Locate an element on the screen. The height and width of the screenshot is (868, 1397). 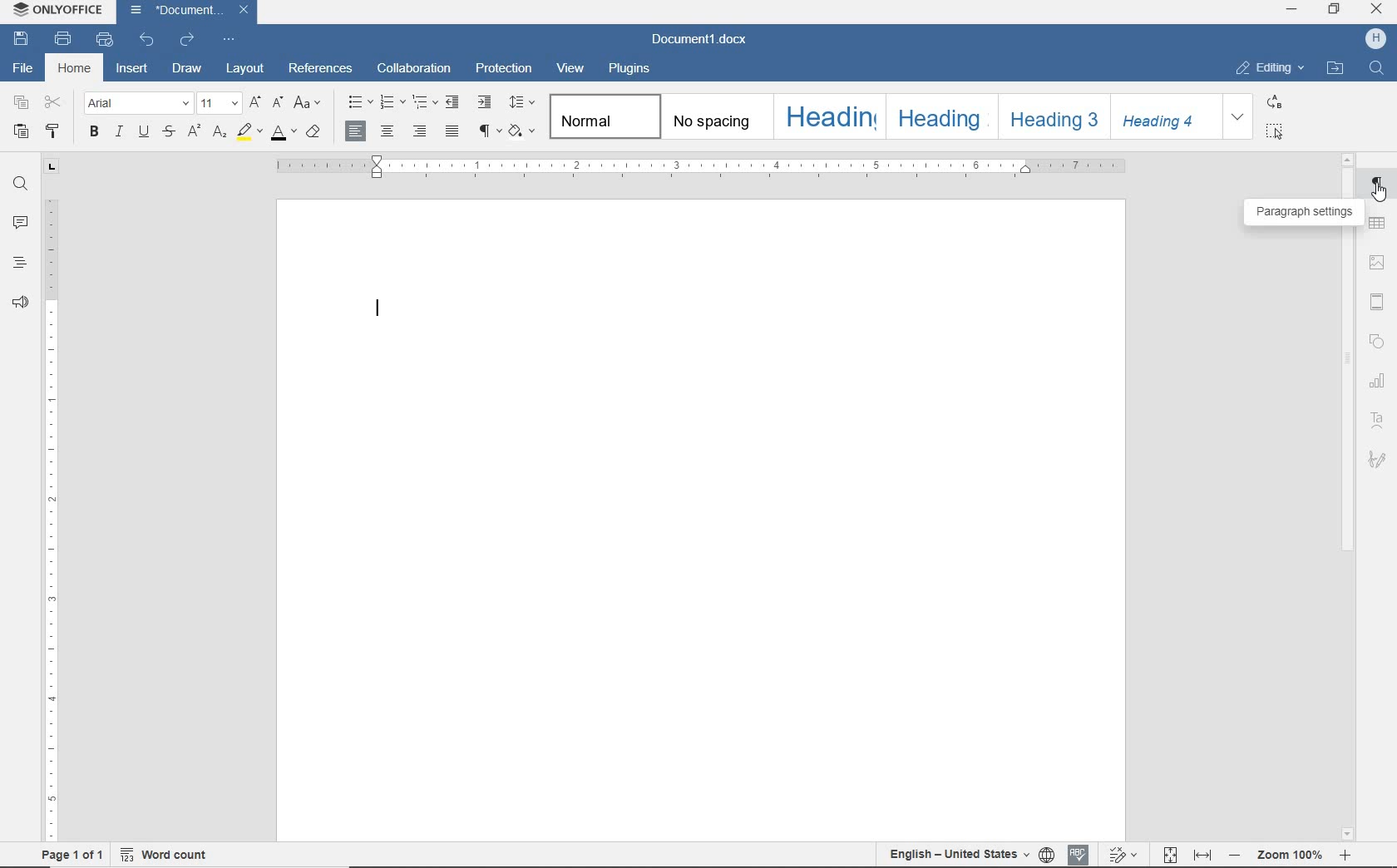
strikethrough is located at coordinates (168, 133).